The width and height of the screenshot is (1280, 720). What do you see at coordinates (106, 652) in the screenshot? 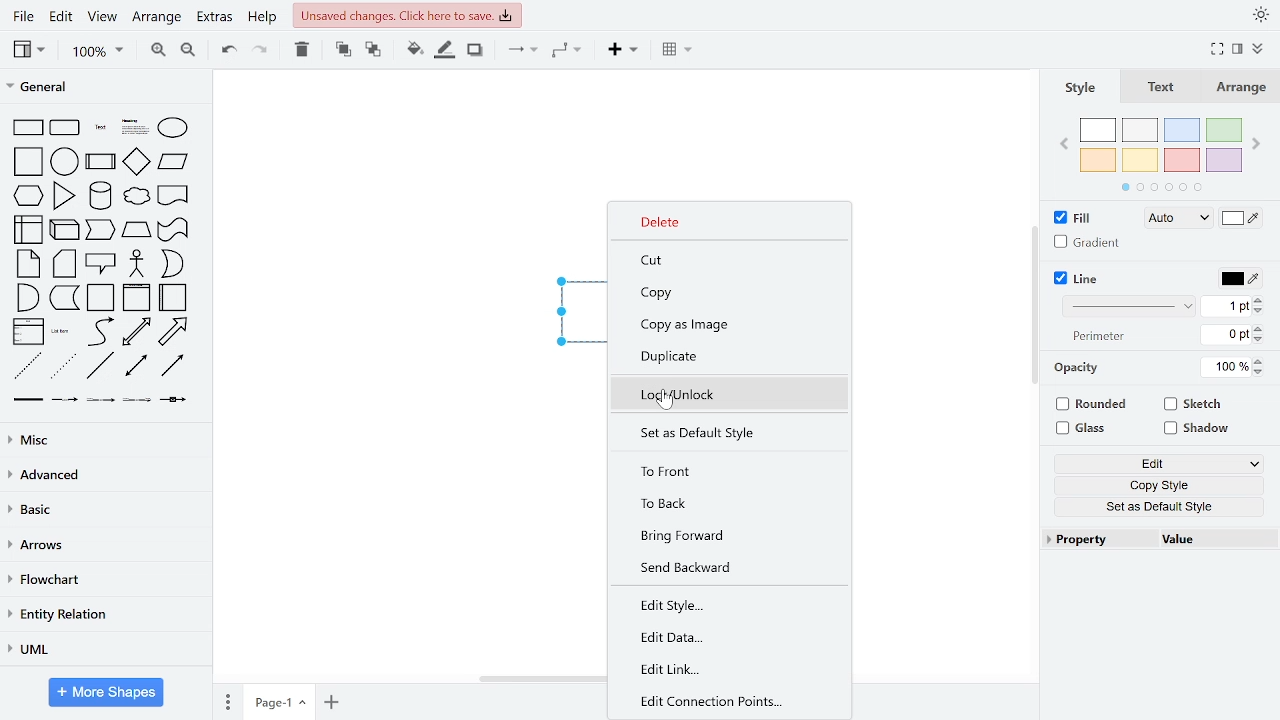
I see `UML` at bounding box center [106, 652].